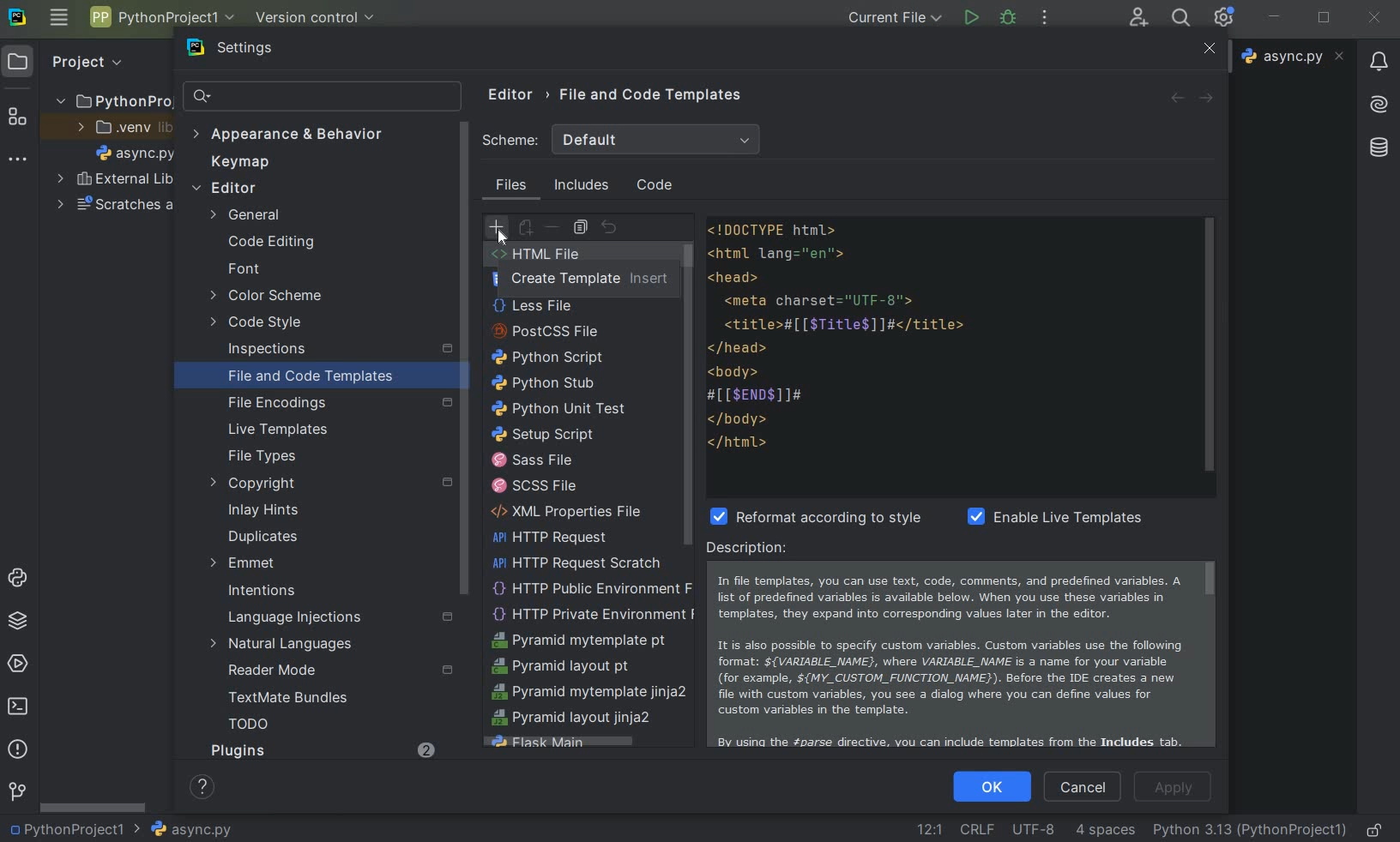  I want to click on copyright, so click(327, 485).